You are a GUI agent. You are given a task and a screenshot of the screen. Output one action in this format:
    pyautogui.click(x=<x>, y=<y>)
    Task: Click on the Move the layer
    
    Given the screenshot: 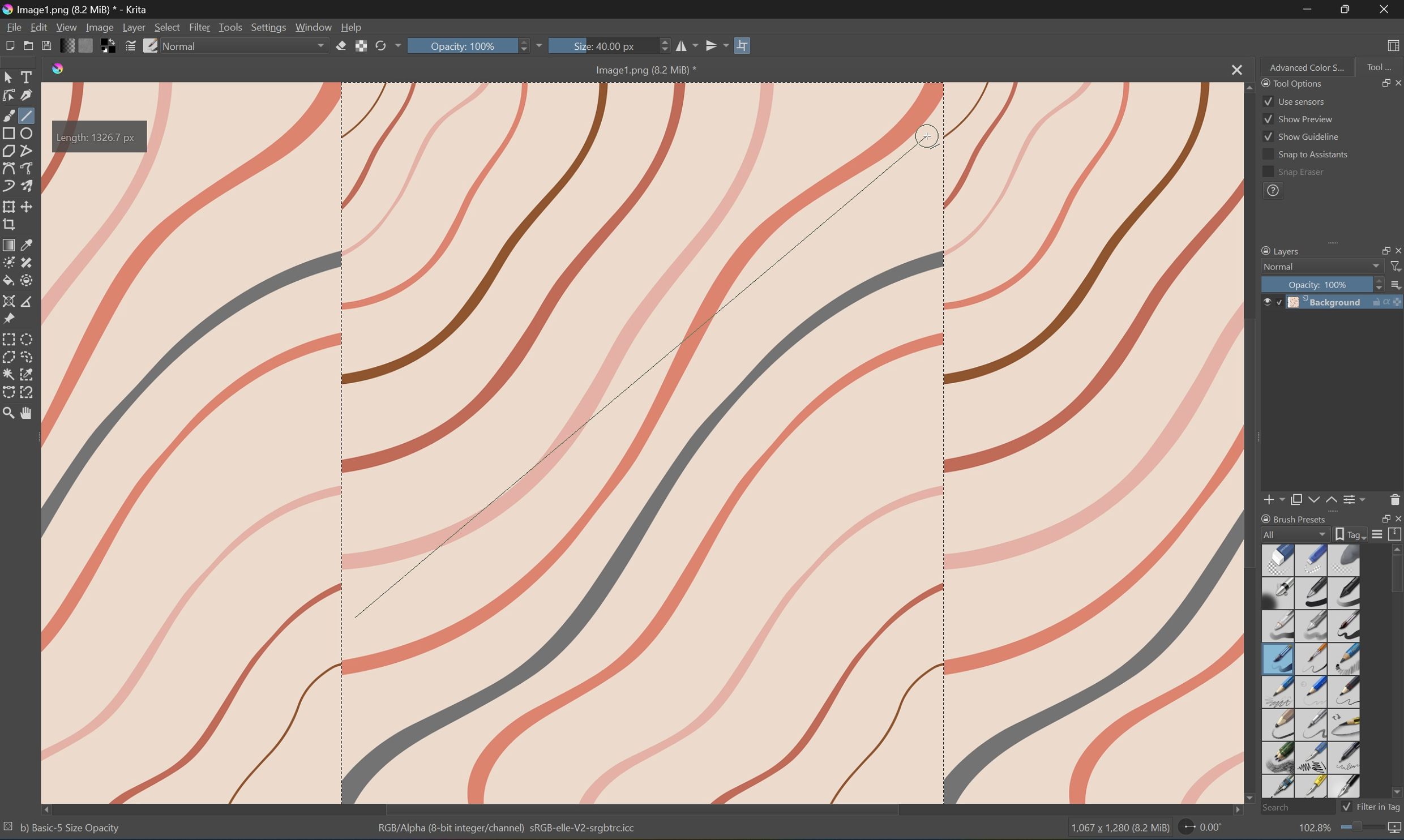 What is the action you would take?
    pyautogui.click(x=29, y=207)
    